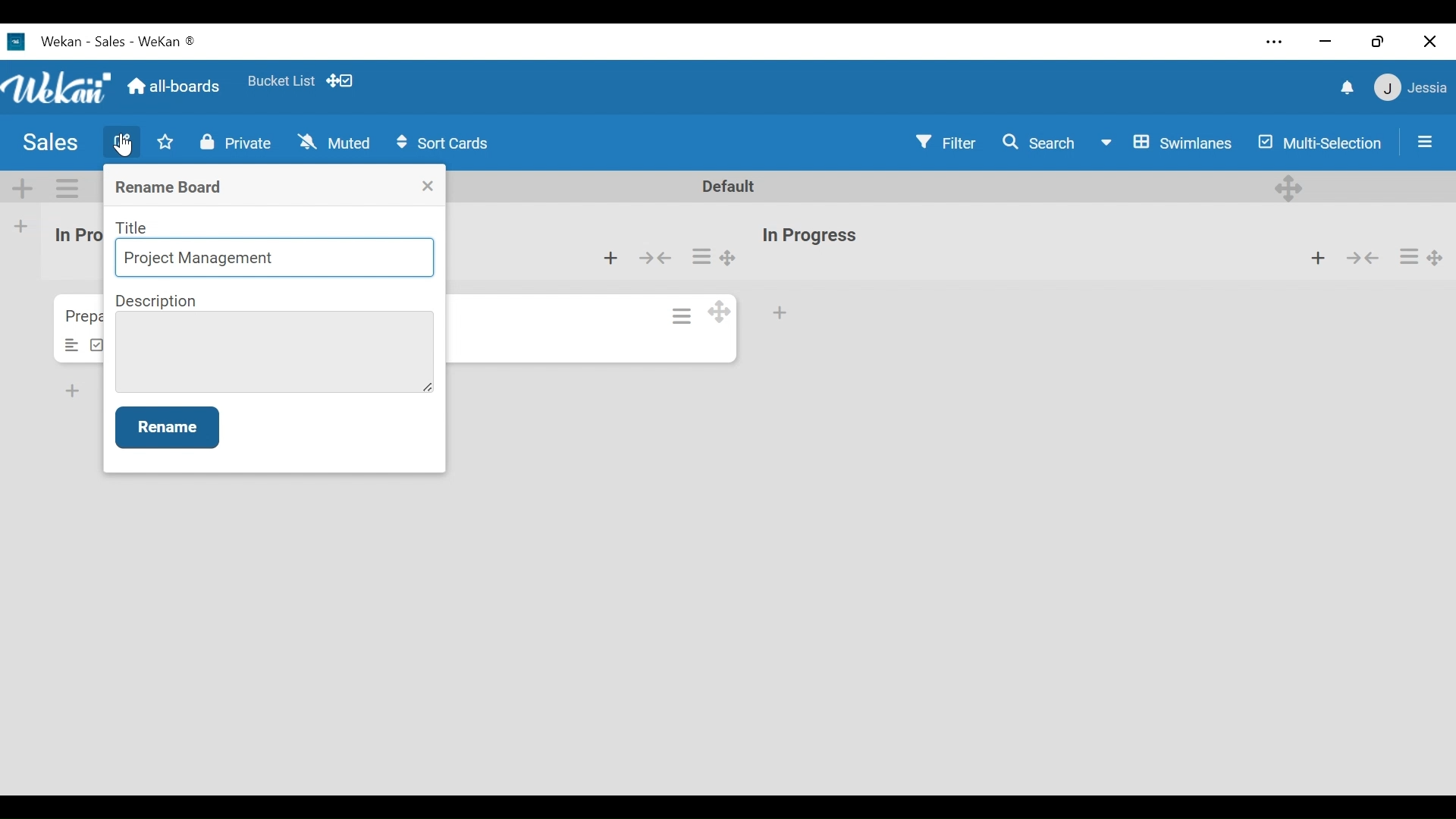 The image size is (1456, 819). I want to click on List actions, so click(701, 255).